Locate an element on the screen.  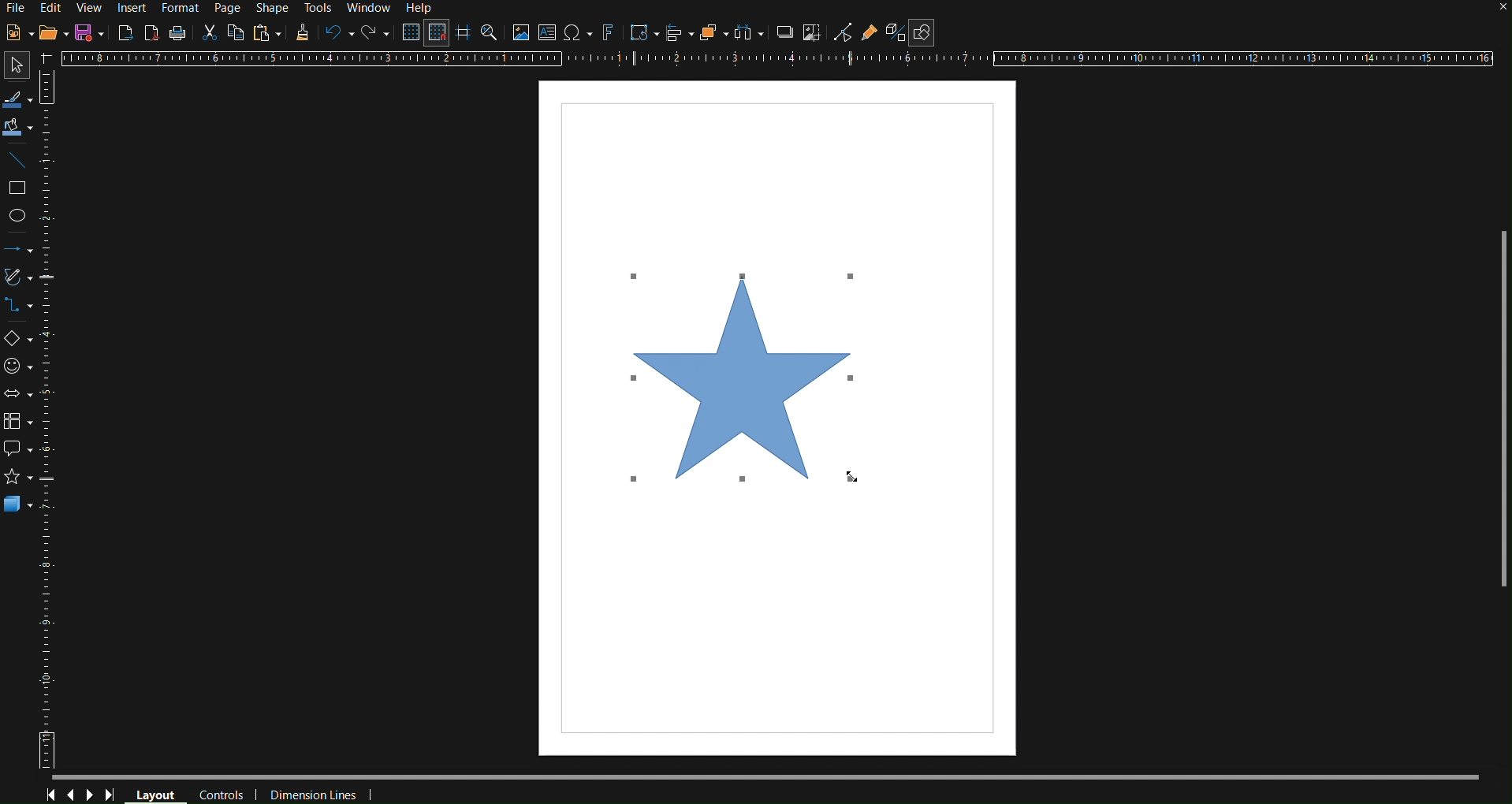
Layout is located at coordinates (155, 793).